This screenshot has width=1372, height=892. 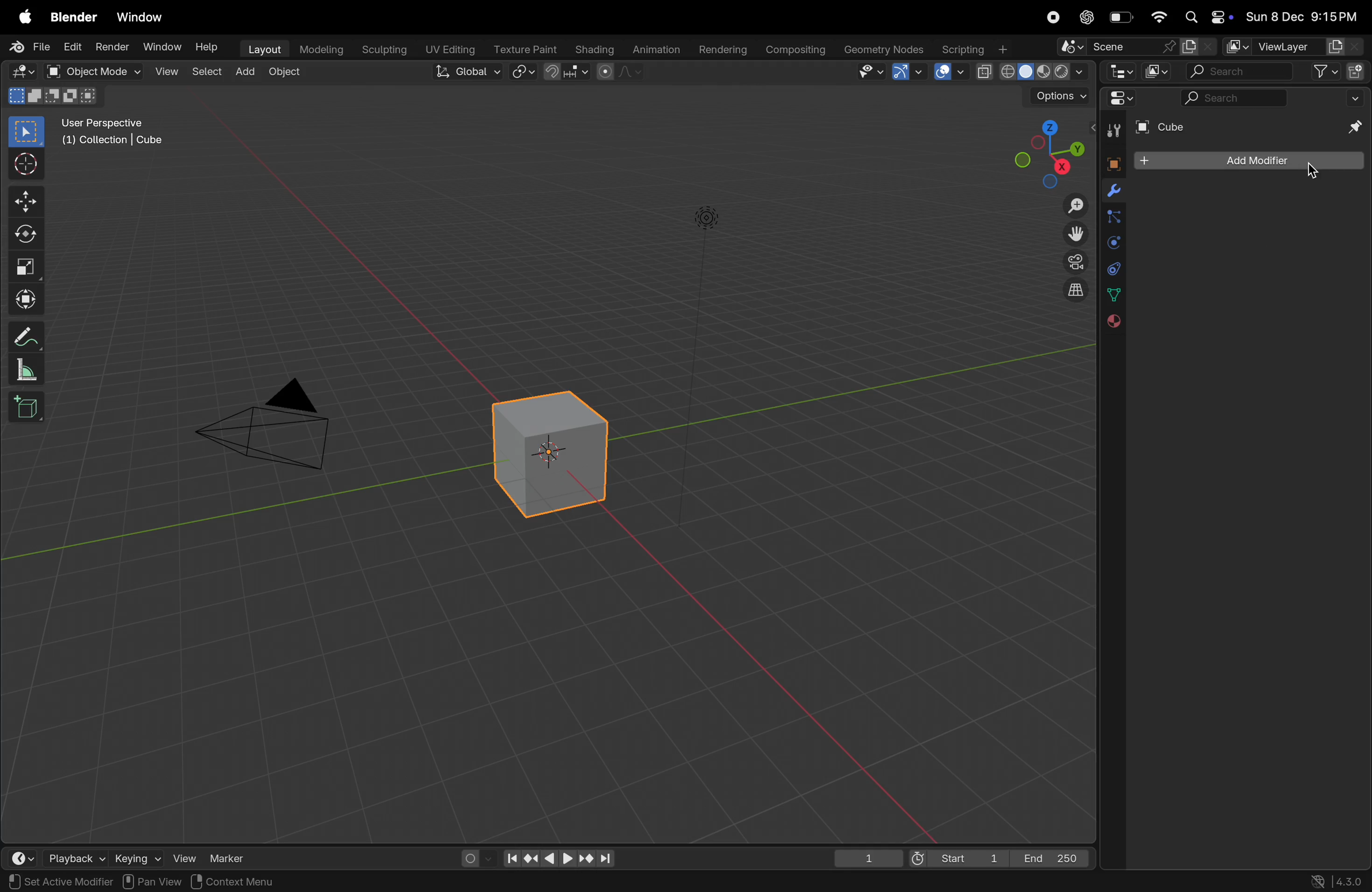 What do you see at coordinates (1087, 17) in the screenshot?
I see `chatgpt` at bounding box center [1087, 17].